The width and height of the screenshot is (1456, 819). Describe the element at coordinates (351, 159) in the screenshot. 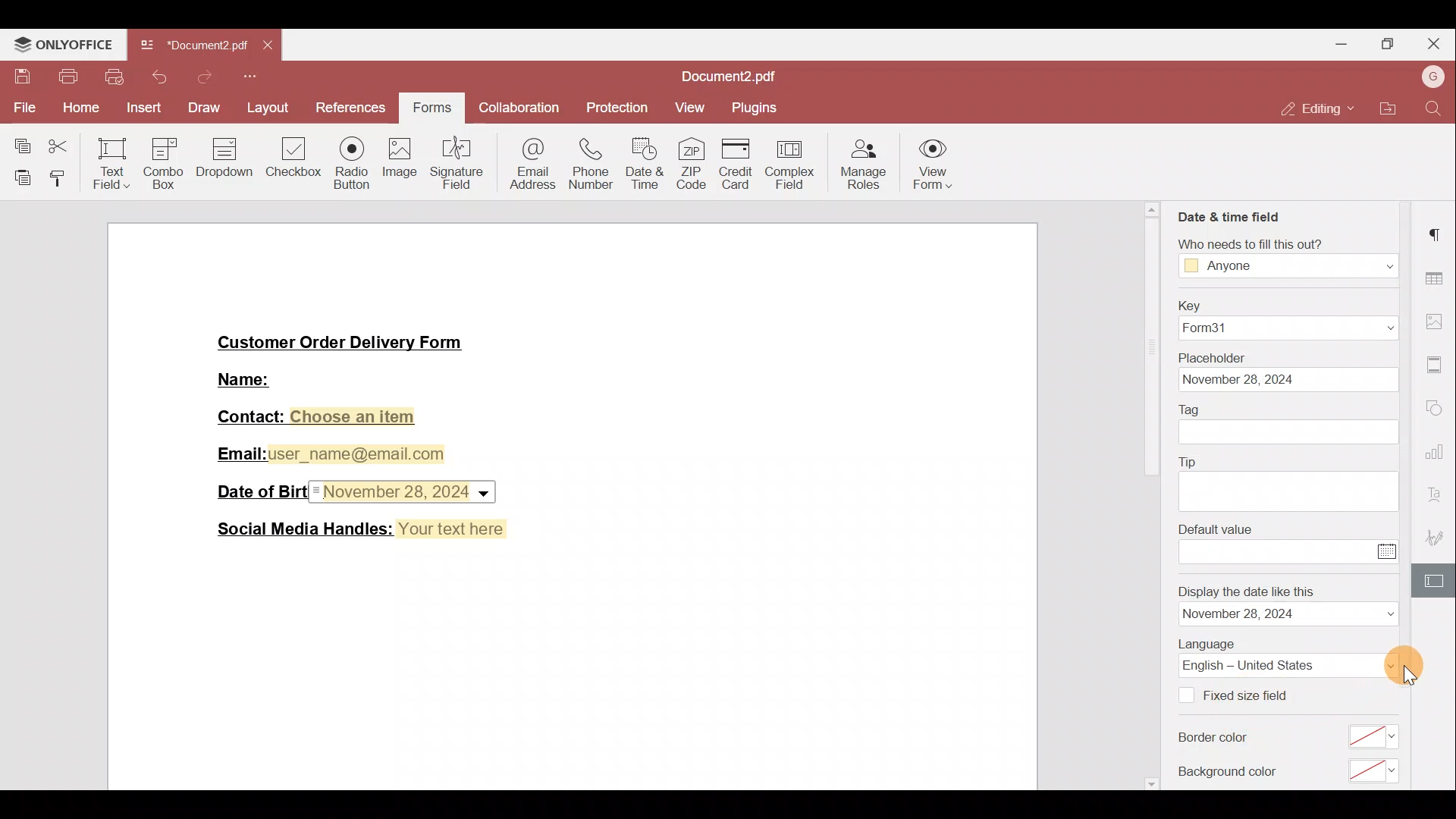

I see `Radio button` at that location.